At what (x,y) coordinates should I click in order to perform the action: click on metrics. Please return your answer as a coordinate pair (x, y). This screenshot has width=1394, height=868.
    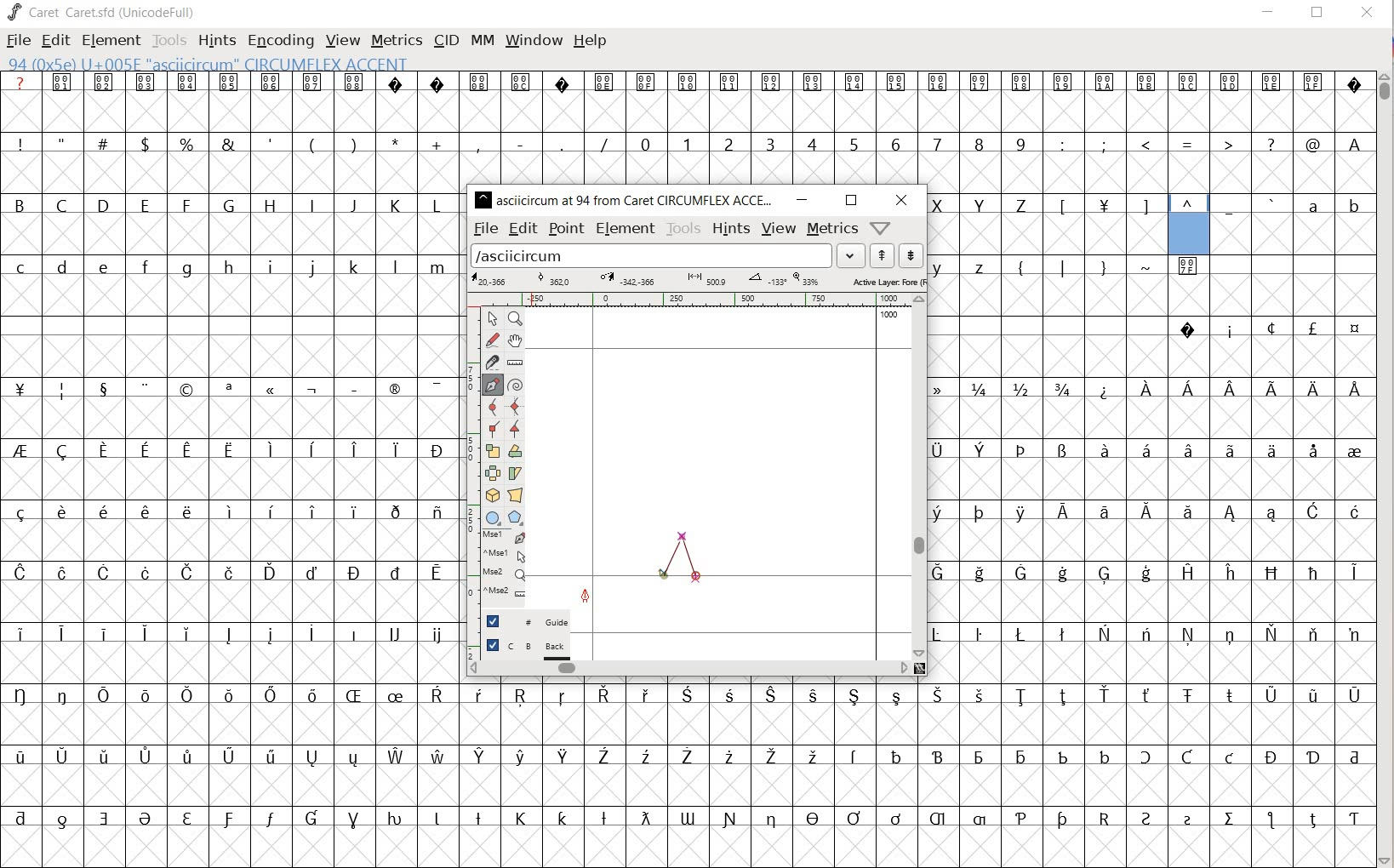
    Looking at the image, I should click on (833, 229).